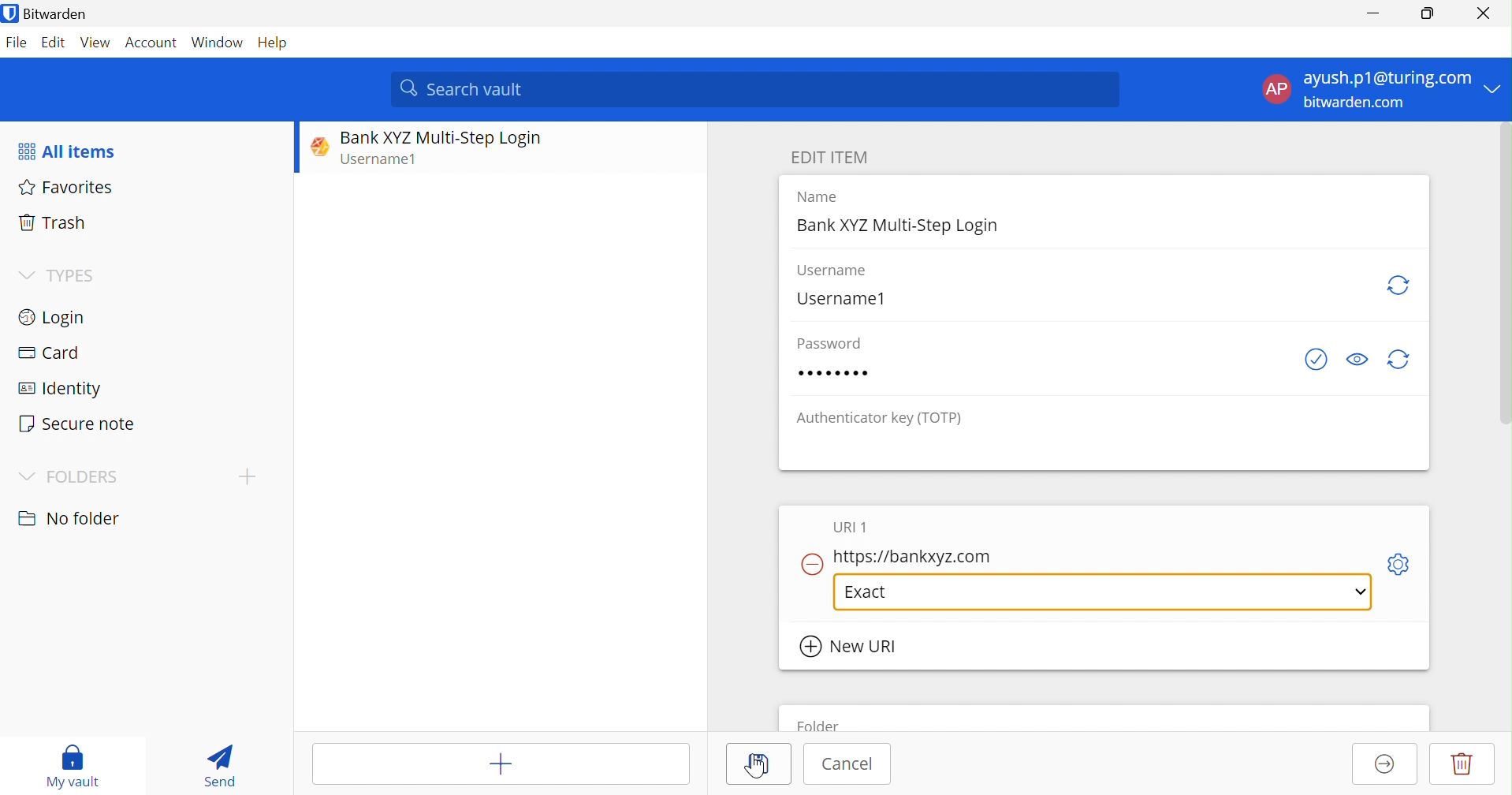 Image resolution: width=1512 pixels, height=795 pixels. I want to click on ayush.p1@turing.com, so click(1387, 80).